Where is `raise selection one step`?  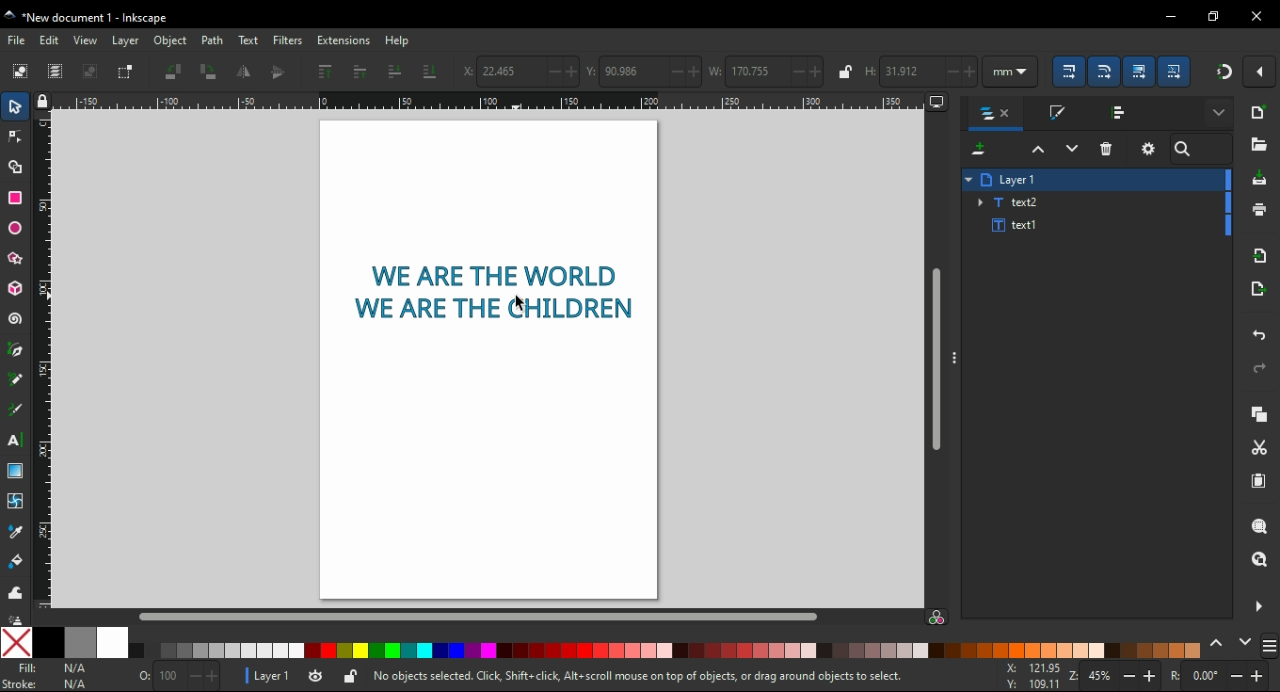 raise selection one step is located at coordinates (1036, 150).